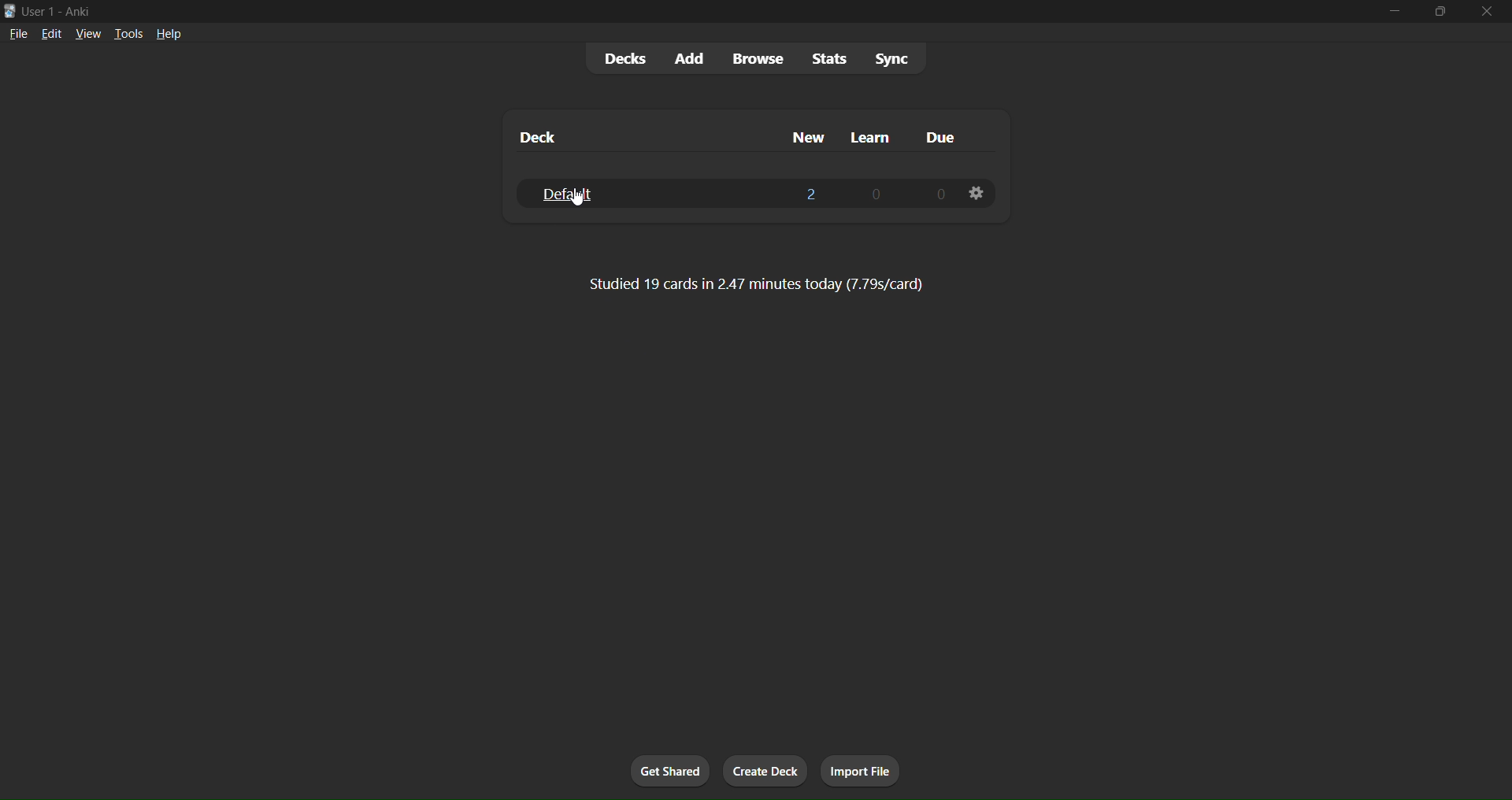  What do you see at coordinates (624, 58) in the screenshot?
I see `decks` at bounding box center [624, 58].